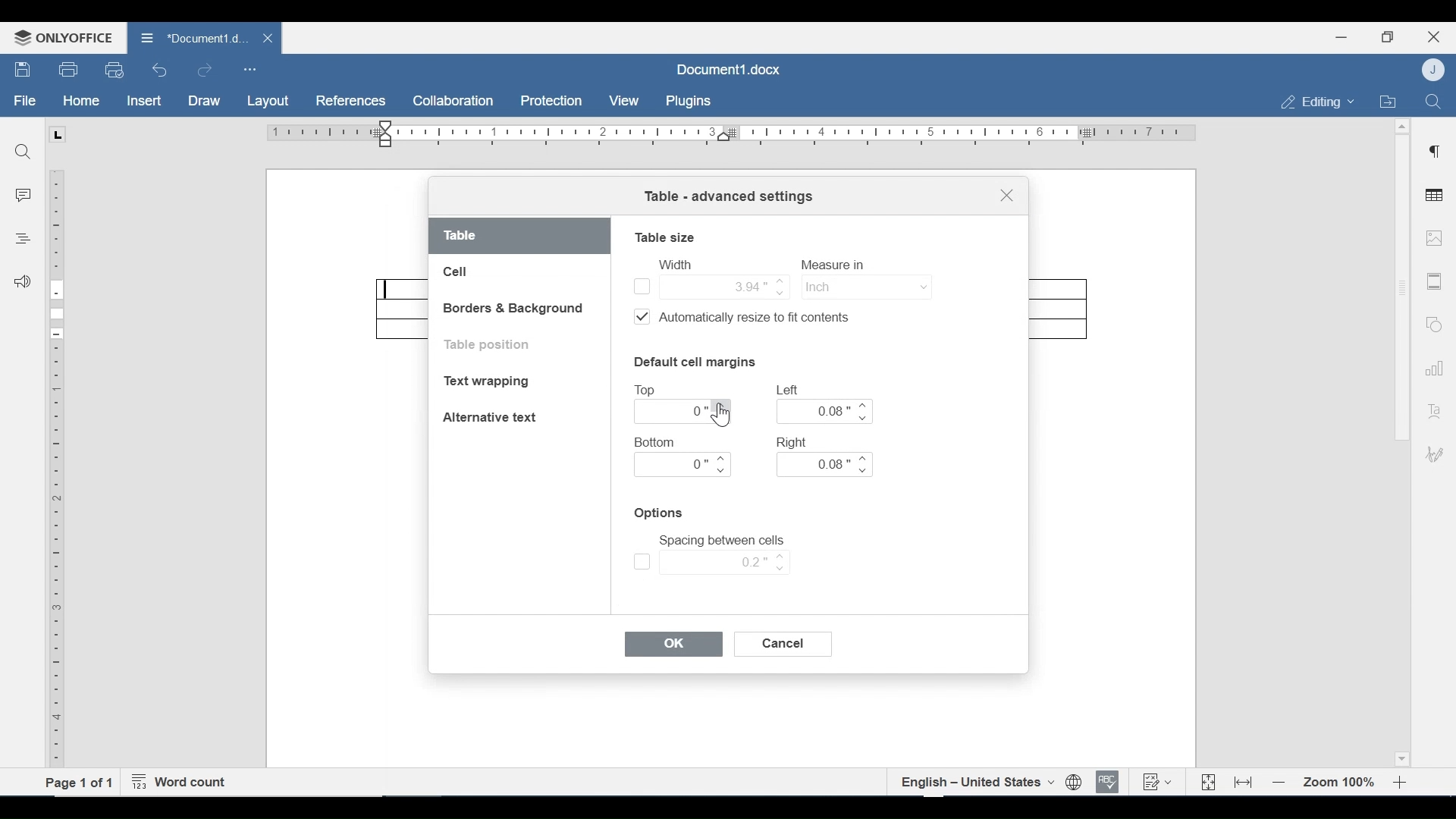  Describe the element at coordinates (183, 783) in the screenshot. I see `Word Count` at that location.